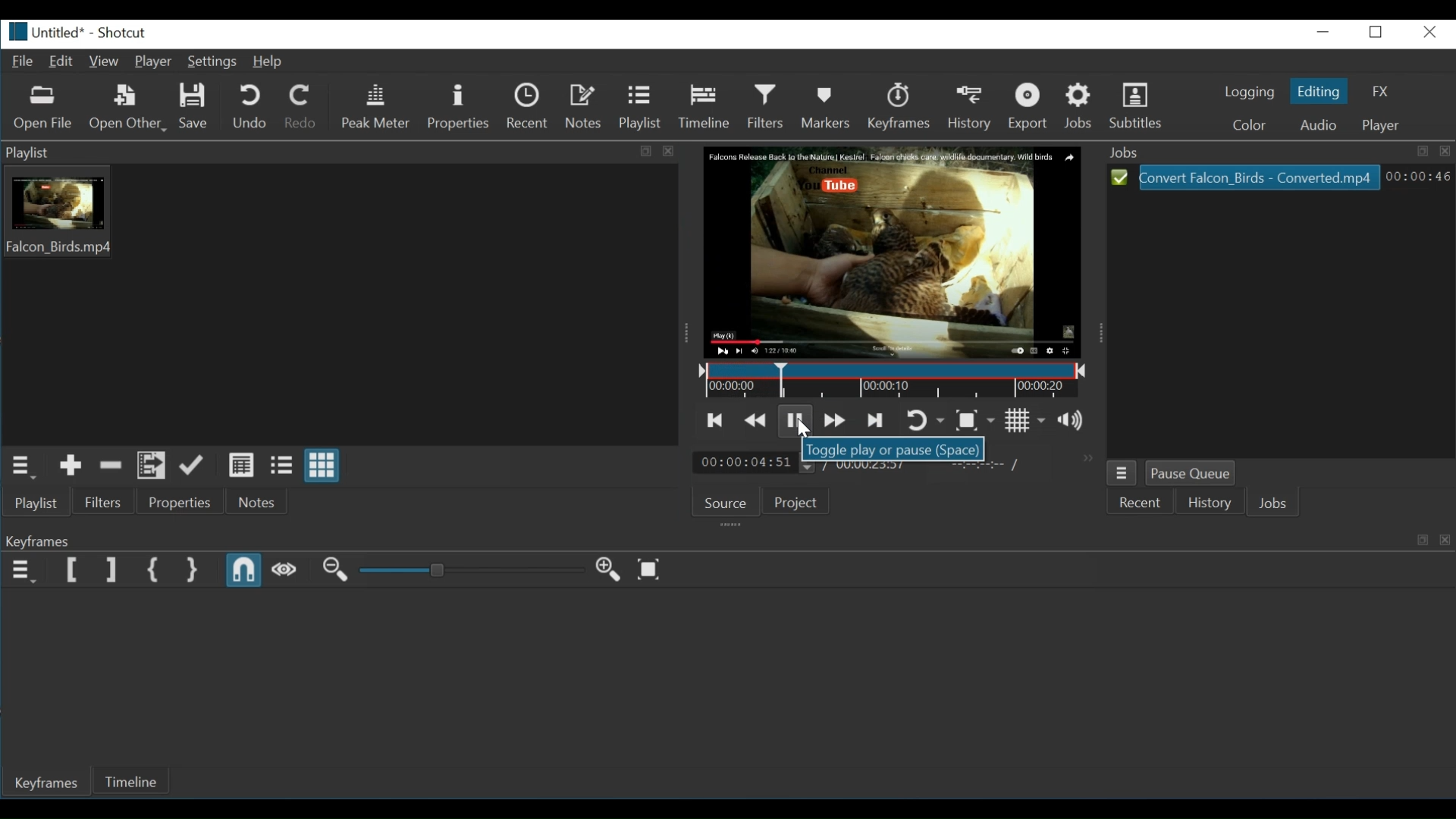 Image resolution: width=1456 pixels, height=819 pixels. What do you see at coordinates (44, 108) in the screenshot?
I see `Open File` at bounding box center [44, 108].